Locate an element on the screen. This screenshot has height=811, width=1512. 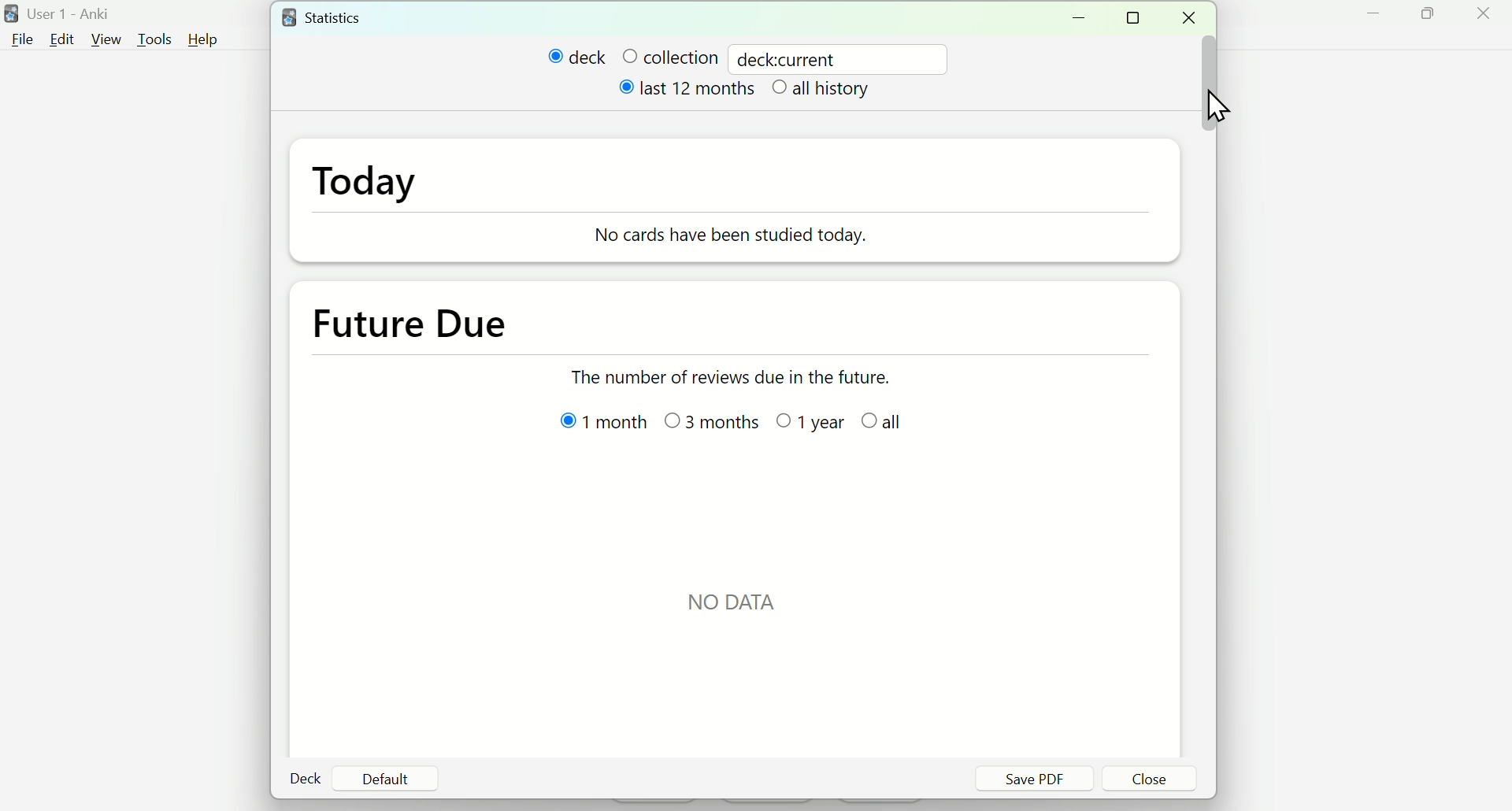
deck is located at coordinates (577, 57).